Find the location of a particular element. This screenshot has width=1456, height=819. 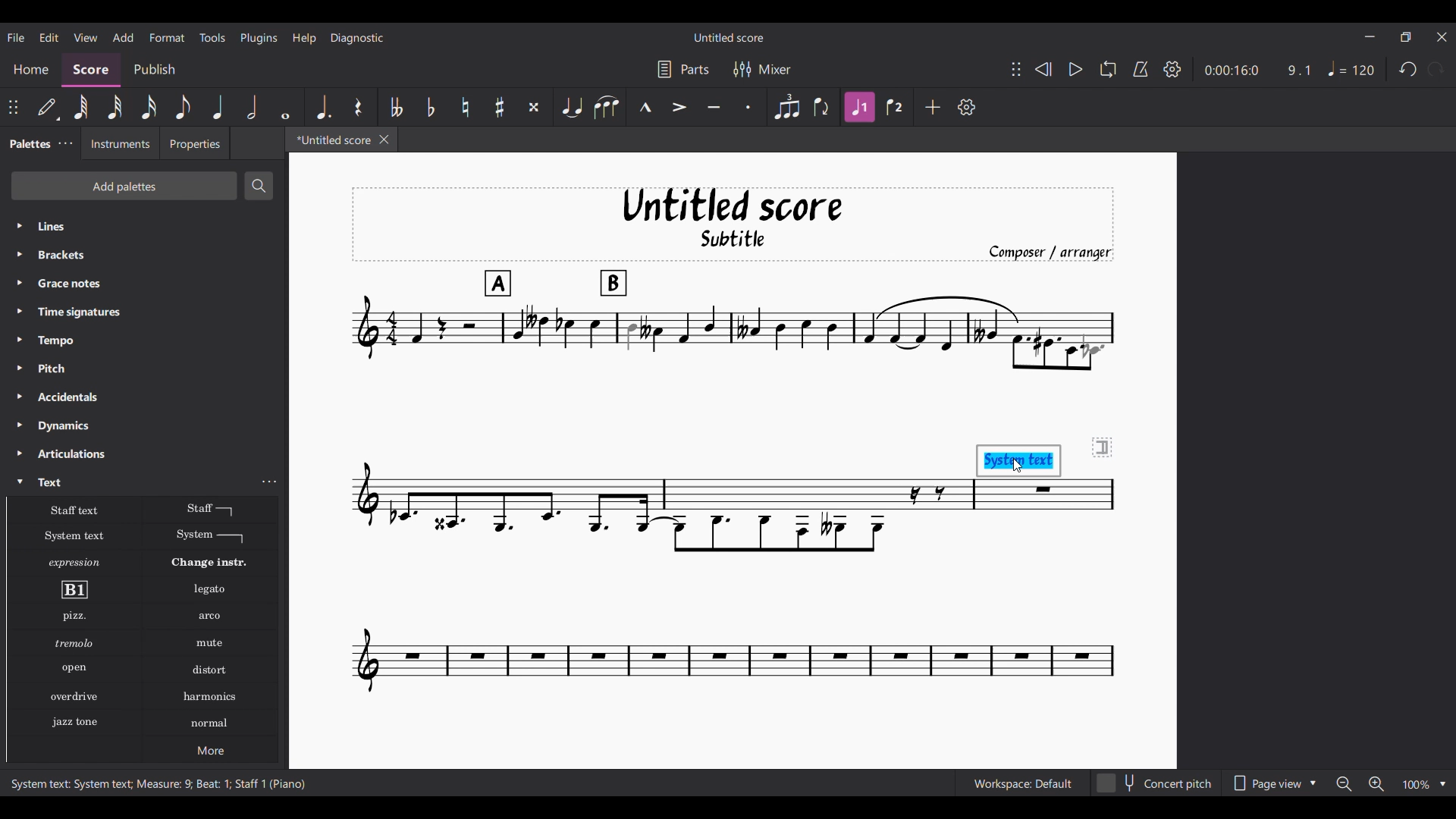

Normal is located at coordinates (210, 723).